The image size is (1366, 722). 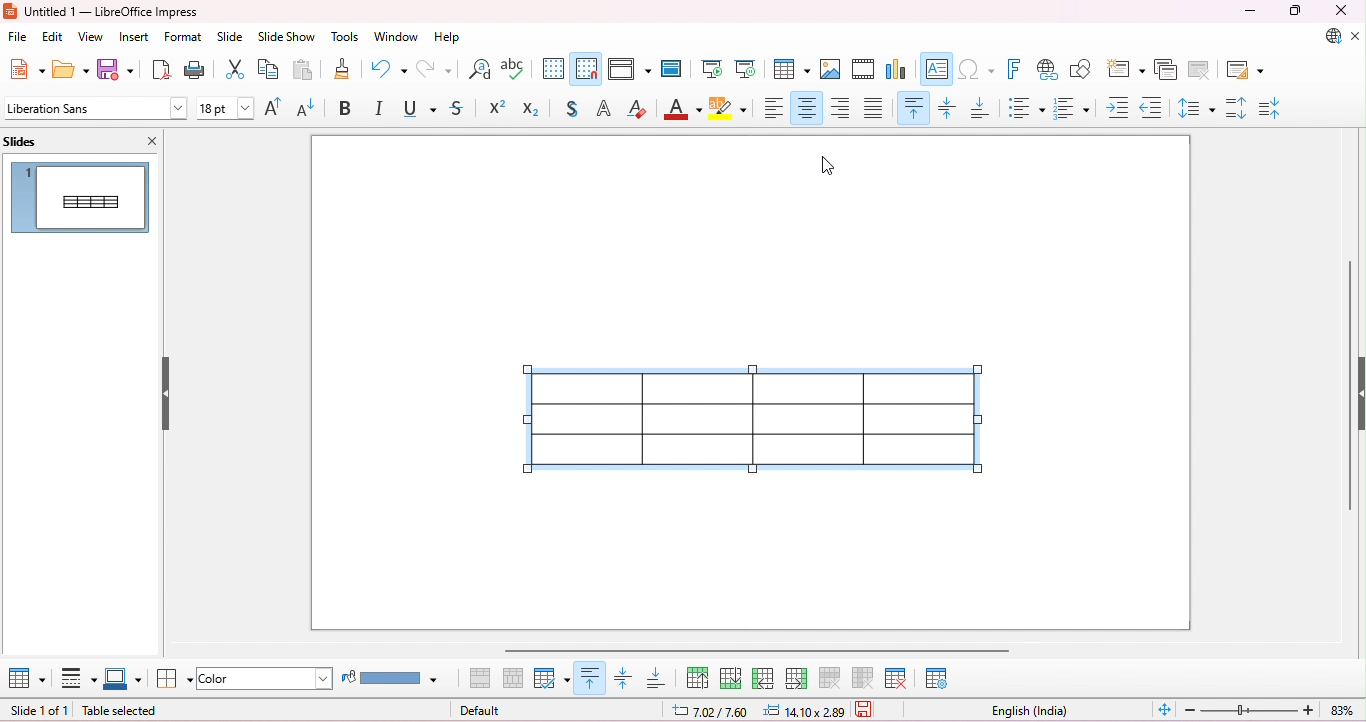 I want to click on decrease indent, so click(x=1153, y=108).